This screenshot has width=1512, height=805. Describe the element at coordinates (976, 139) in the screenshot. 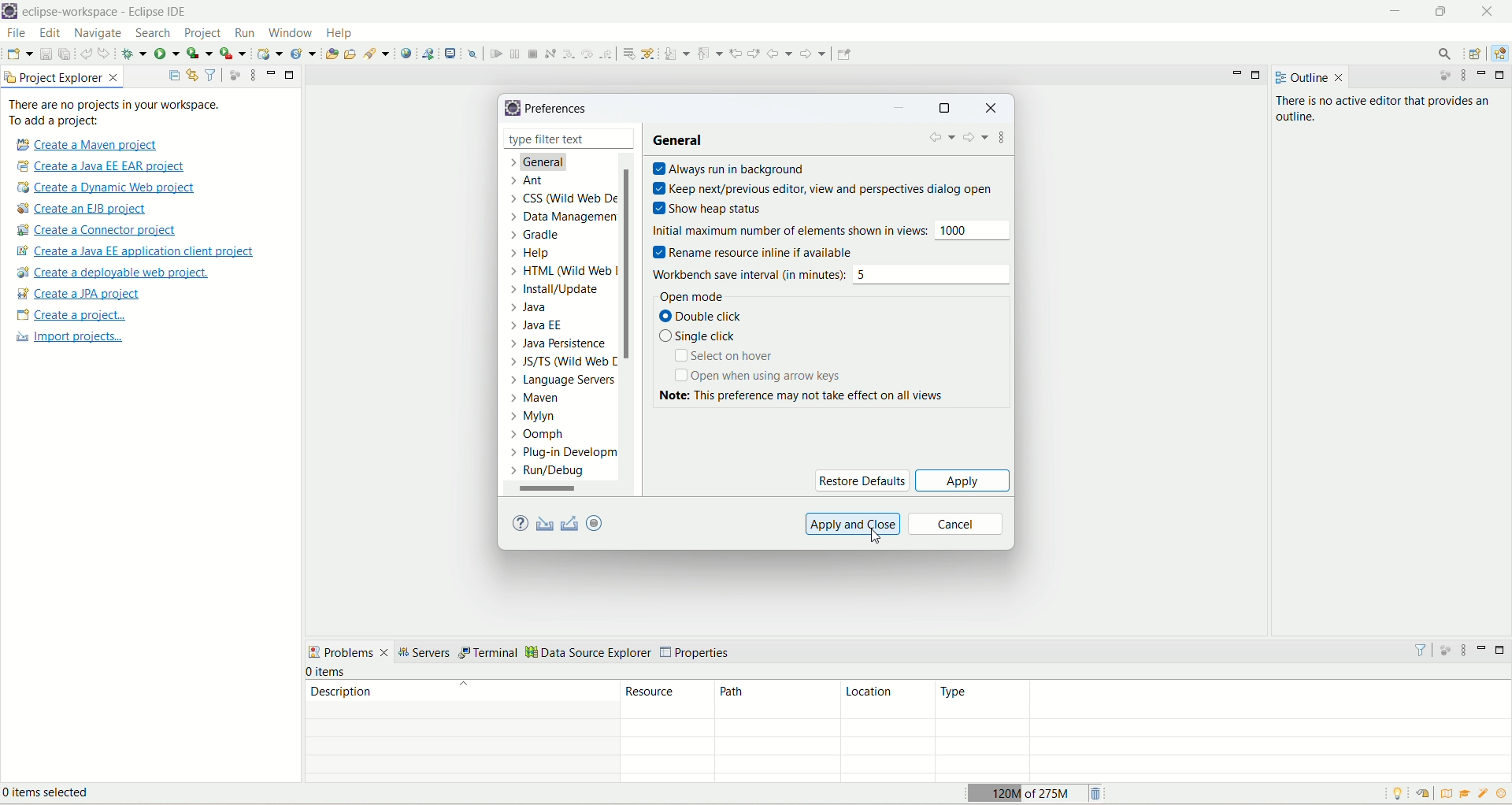

I see `forward` at that location.